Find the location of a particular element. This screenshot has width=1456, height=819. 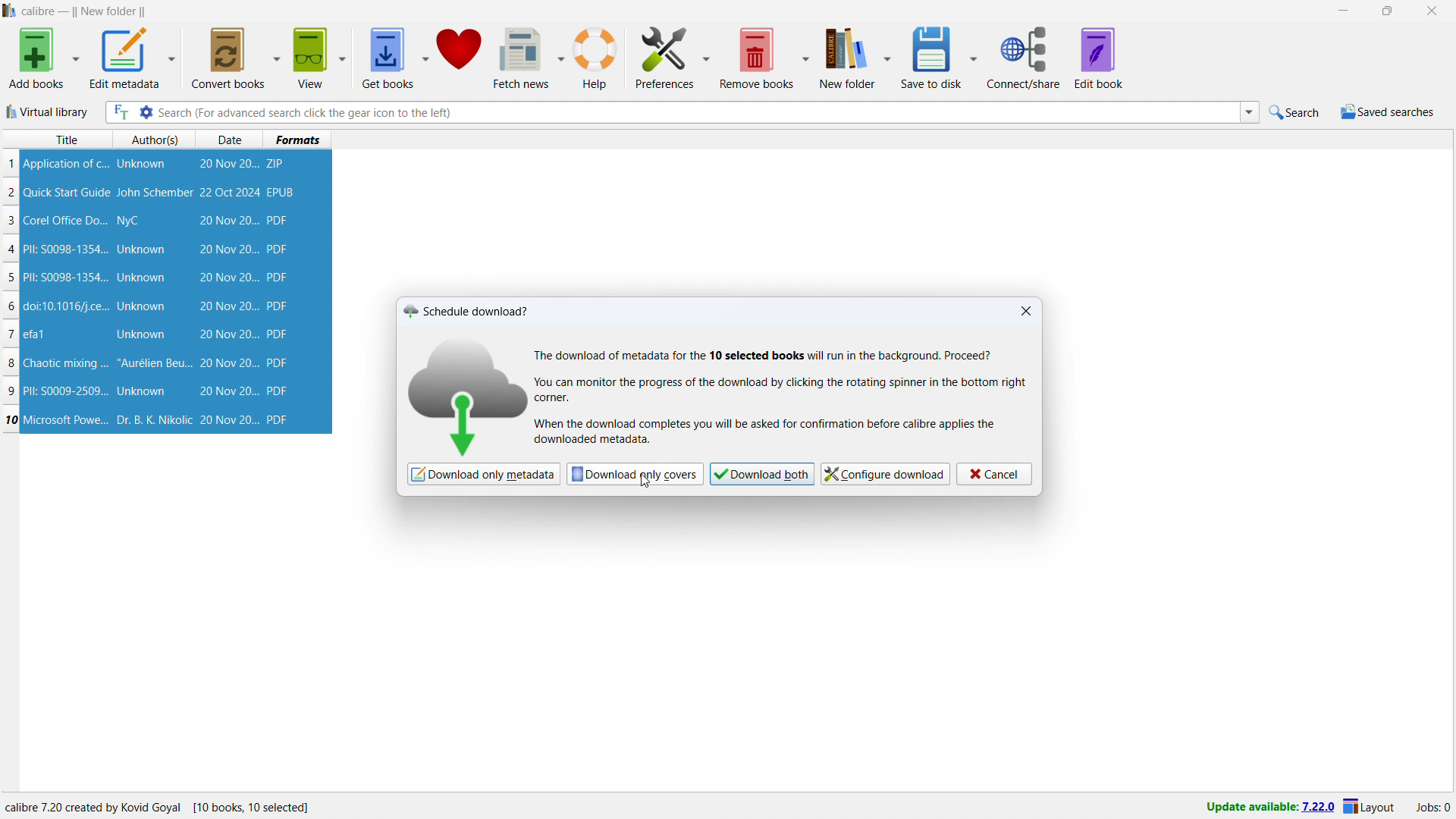

get books is located at coordinates (388, 58).